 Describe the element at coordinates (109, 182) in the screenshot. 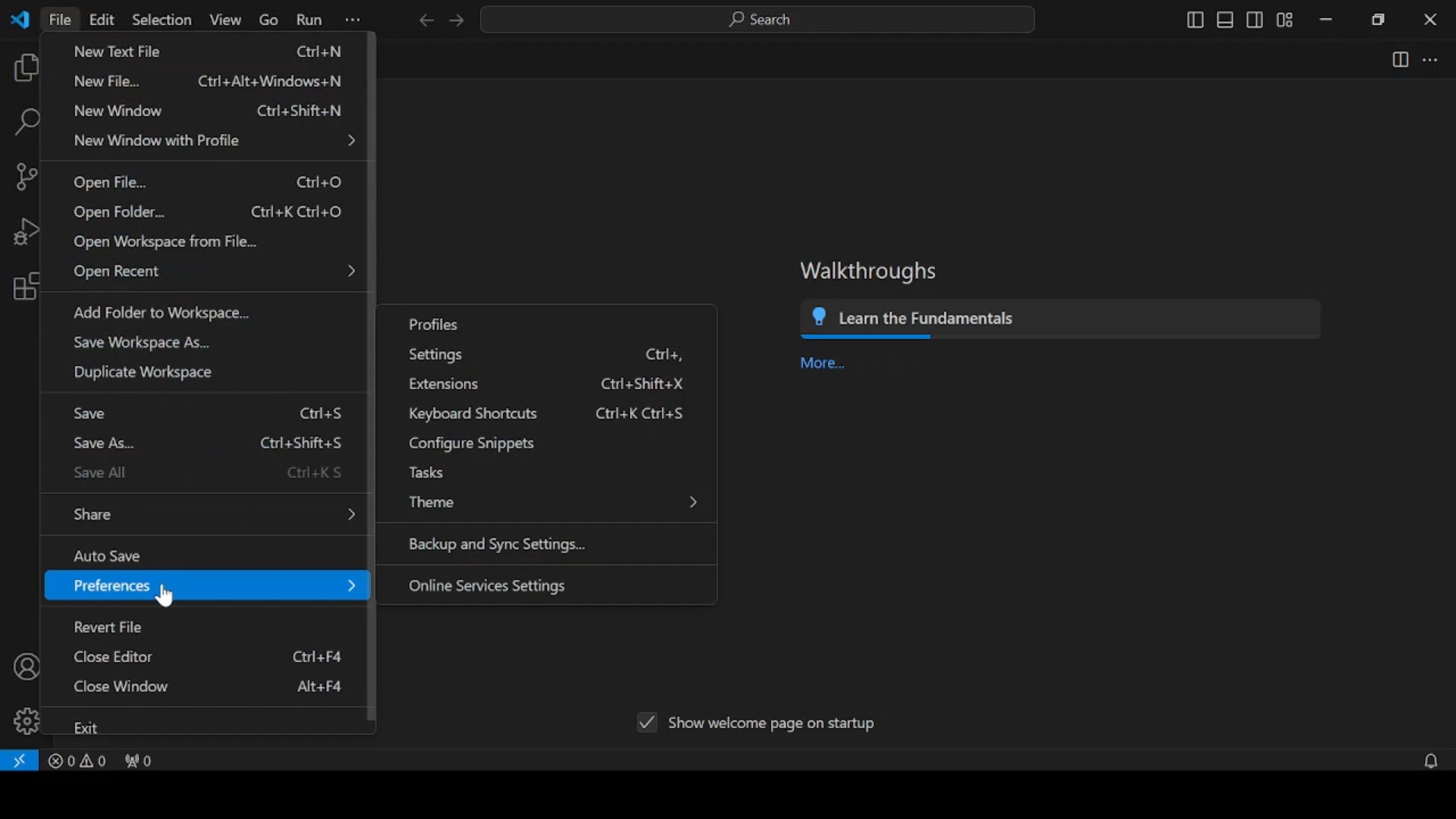

I see `open file` at that location.